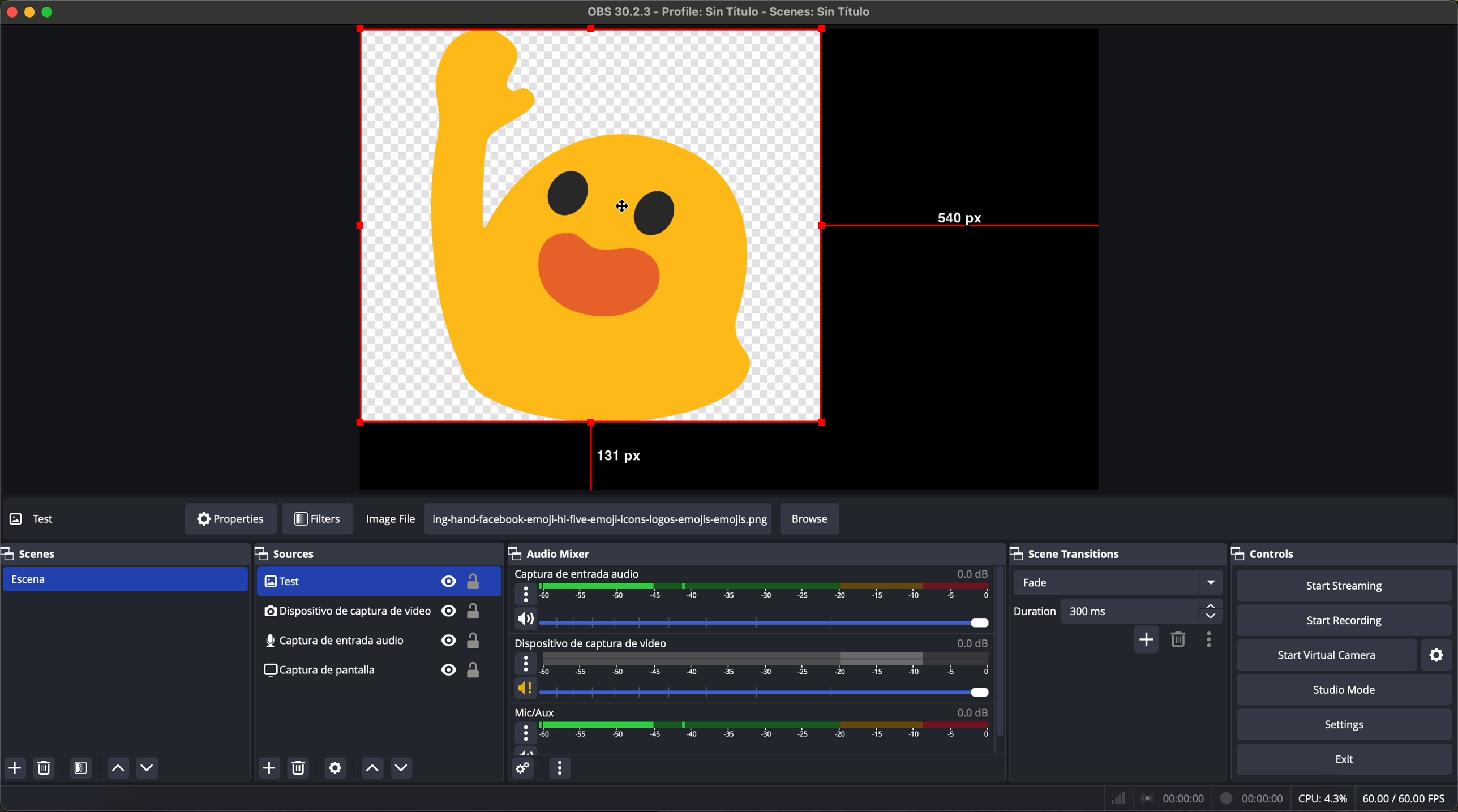 The width and height of the screenshot is (1458, 812). Describe the element at coordinates (1345, 690) in the screenshot. I see `studio mode` at that location.